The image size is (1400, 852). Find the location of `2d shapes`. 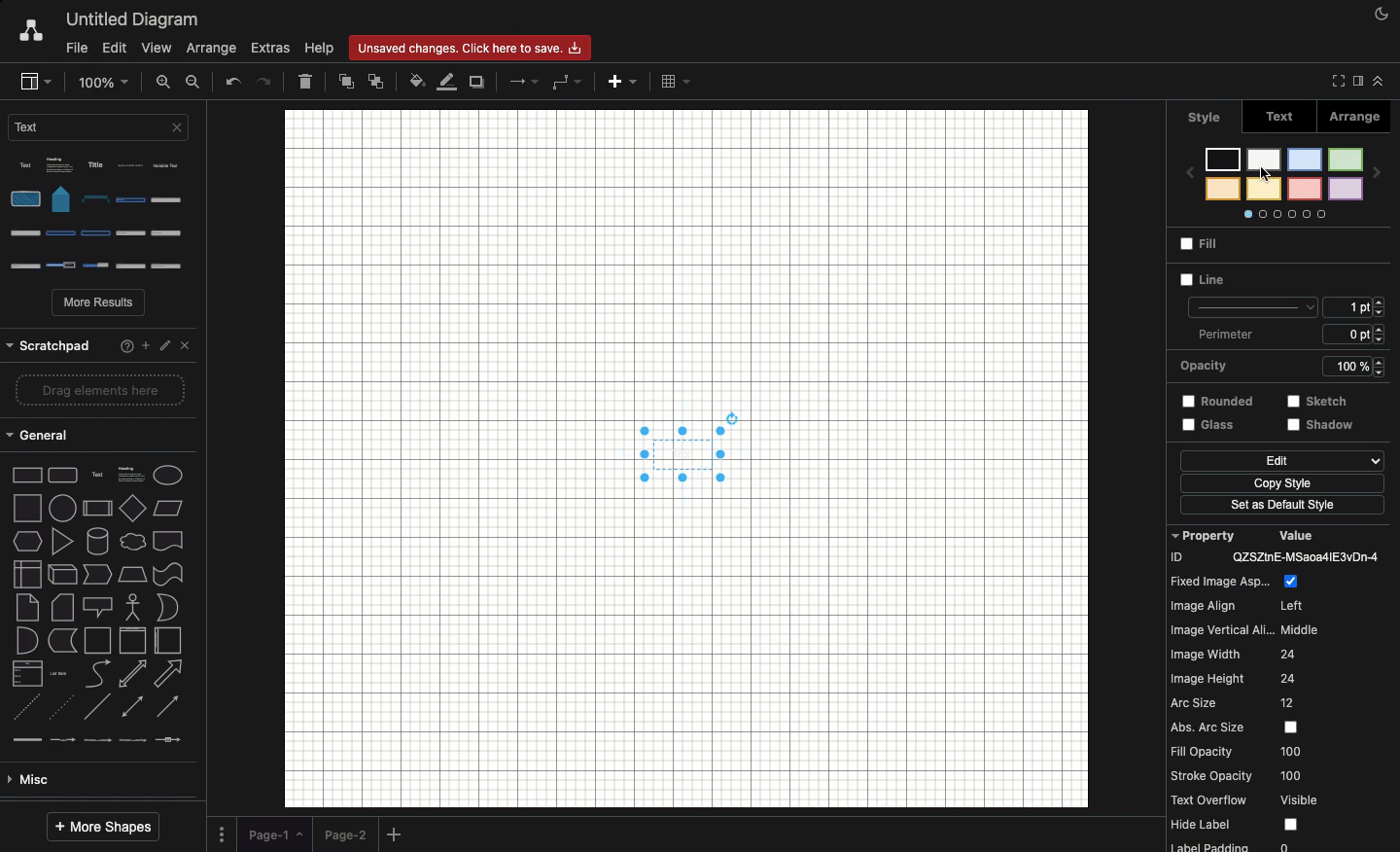

2d shapes is located at coordinates (99, 397).